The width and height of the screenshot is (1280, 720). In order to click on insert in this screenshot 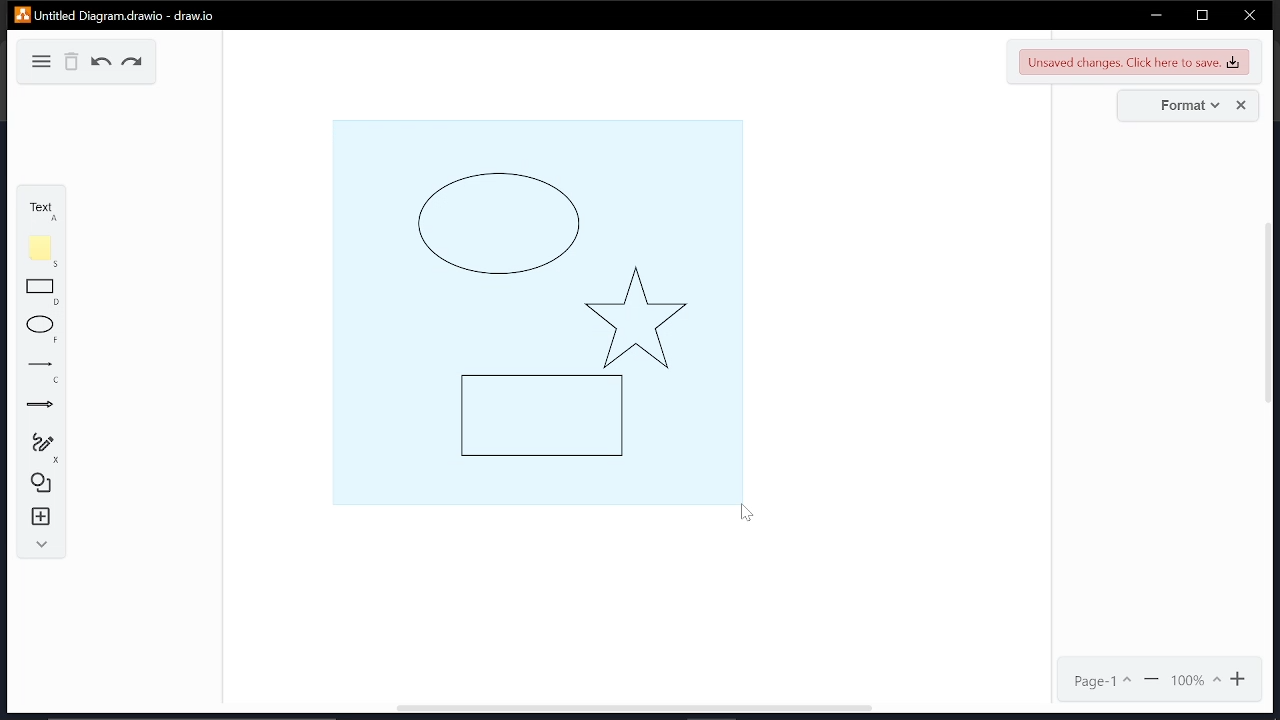, I will do `click(42, 517)`.